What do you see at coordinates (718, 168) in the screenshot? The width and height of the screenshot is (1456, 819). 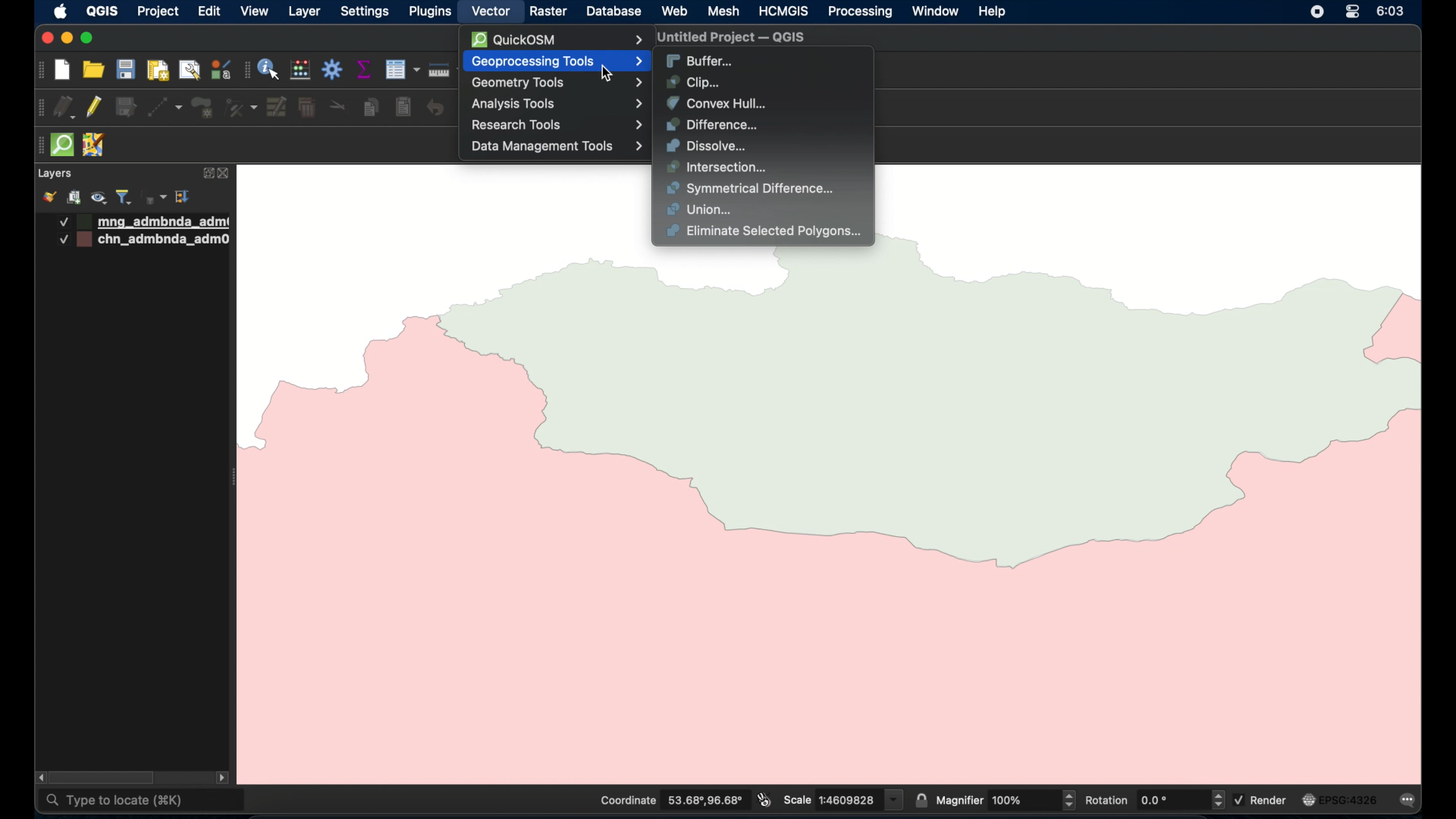 I see `intersection` at bounding box center [718, 168].